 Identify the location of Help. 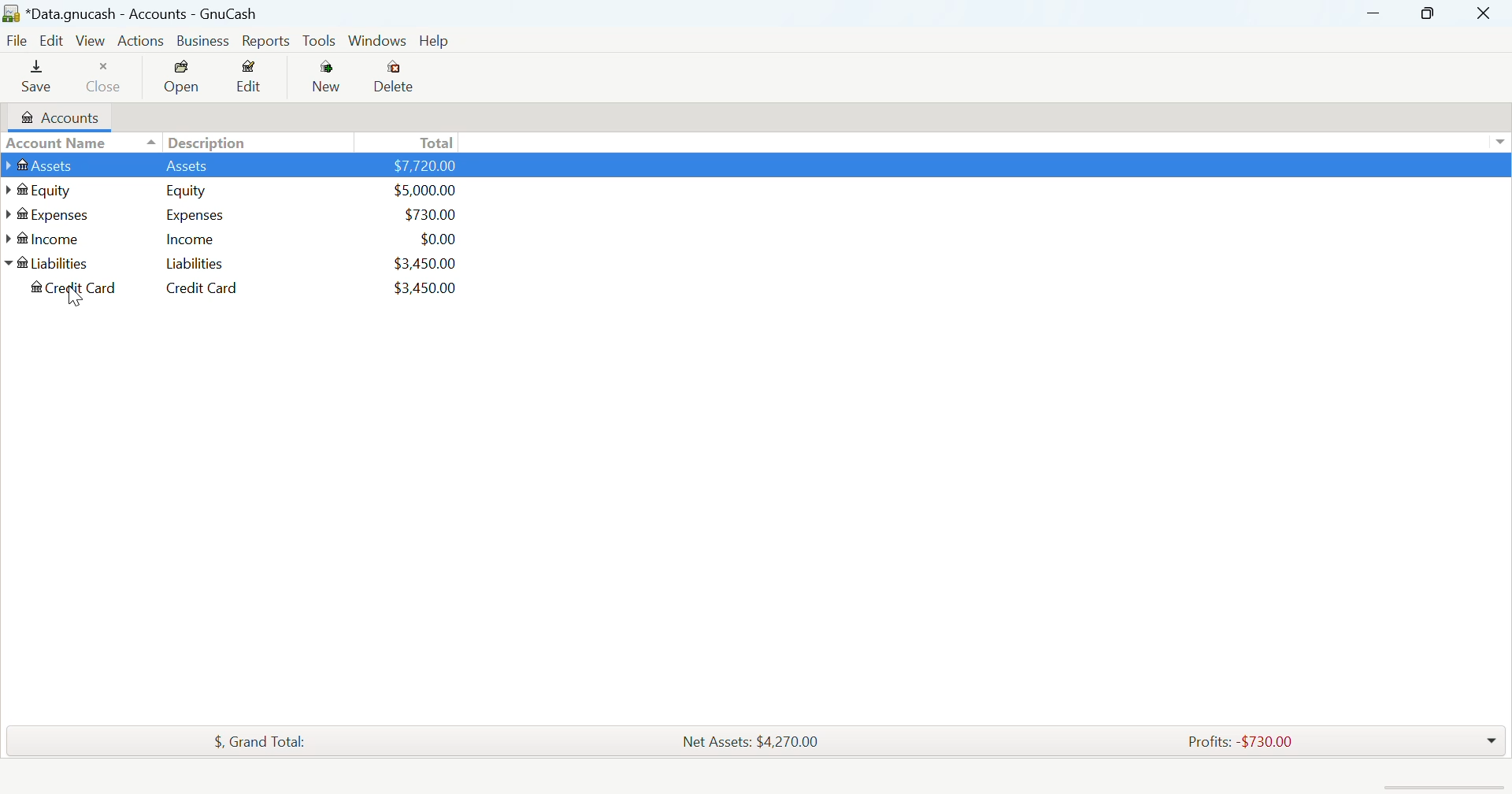
(435, 42).